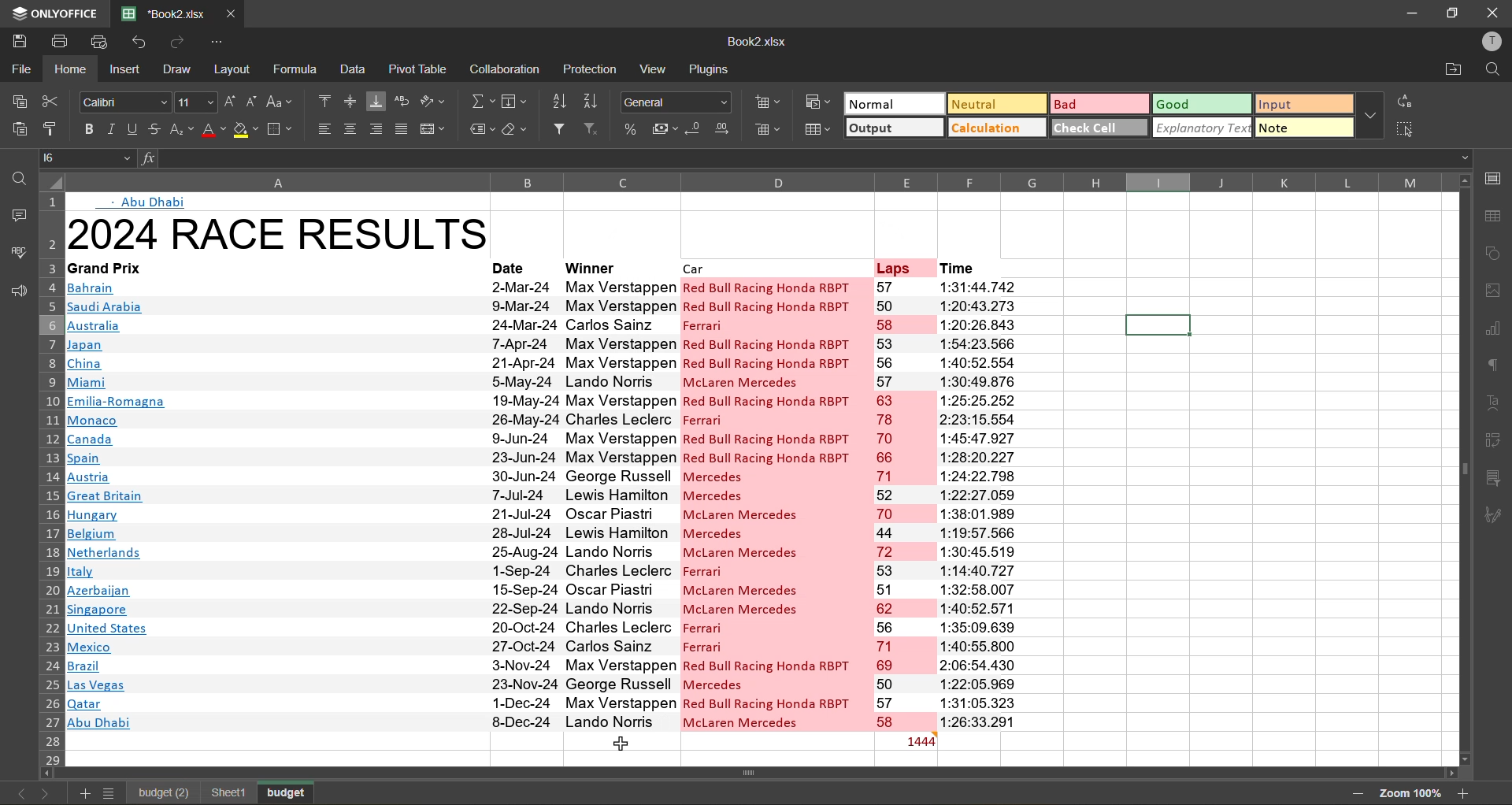 This screenshot has width=1512, height=805. What do you see at coordinates (481, 130) in the screenshot?
I see `named ranges` at bounding box center [481, 130].